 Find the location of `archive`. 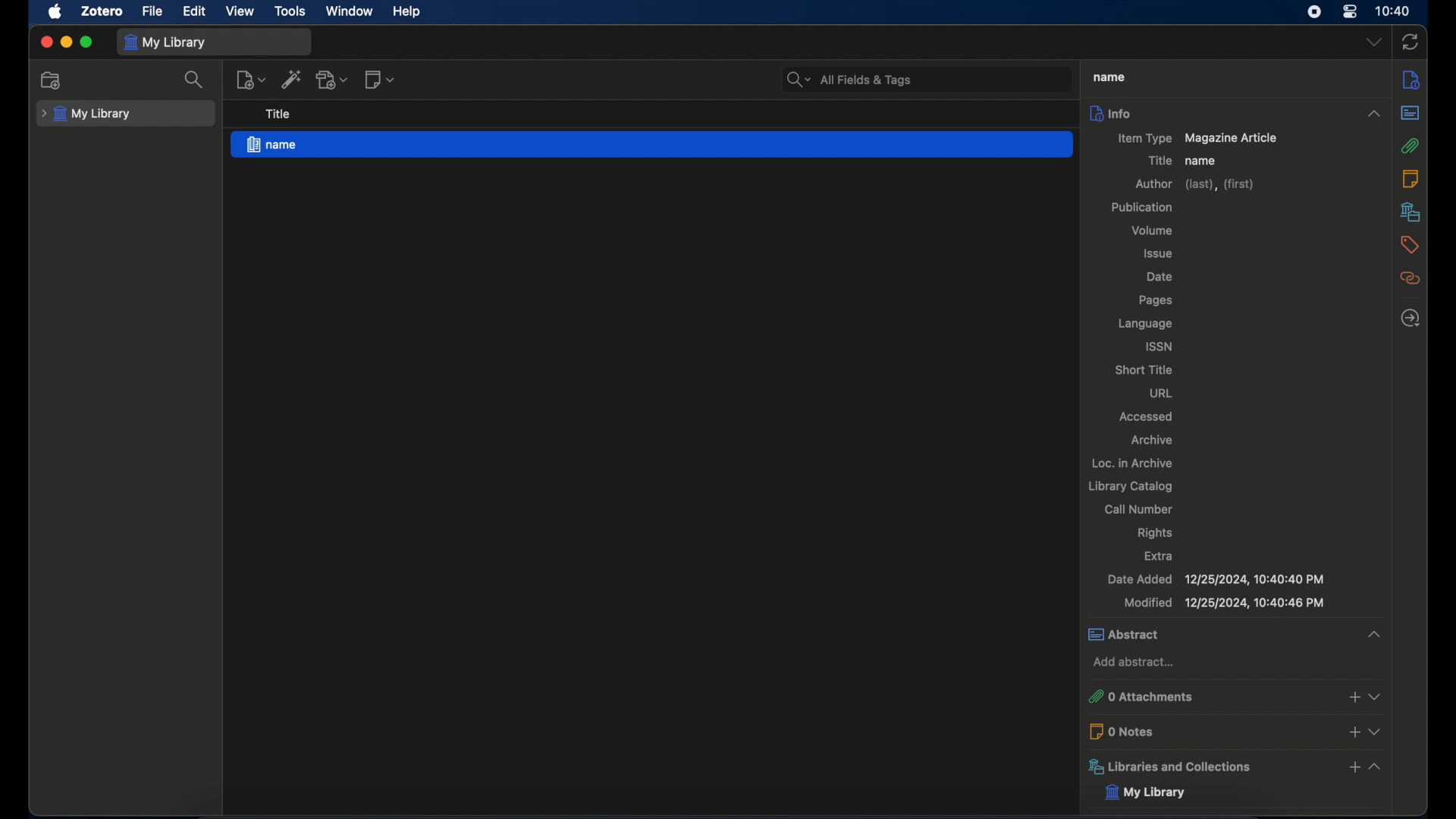

archive is located at coordinates (1152, 440).